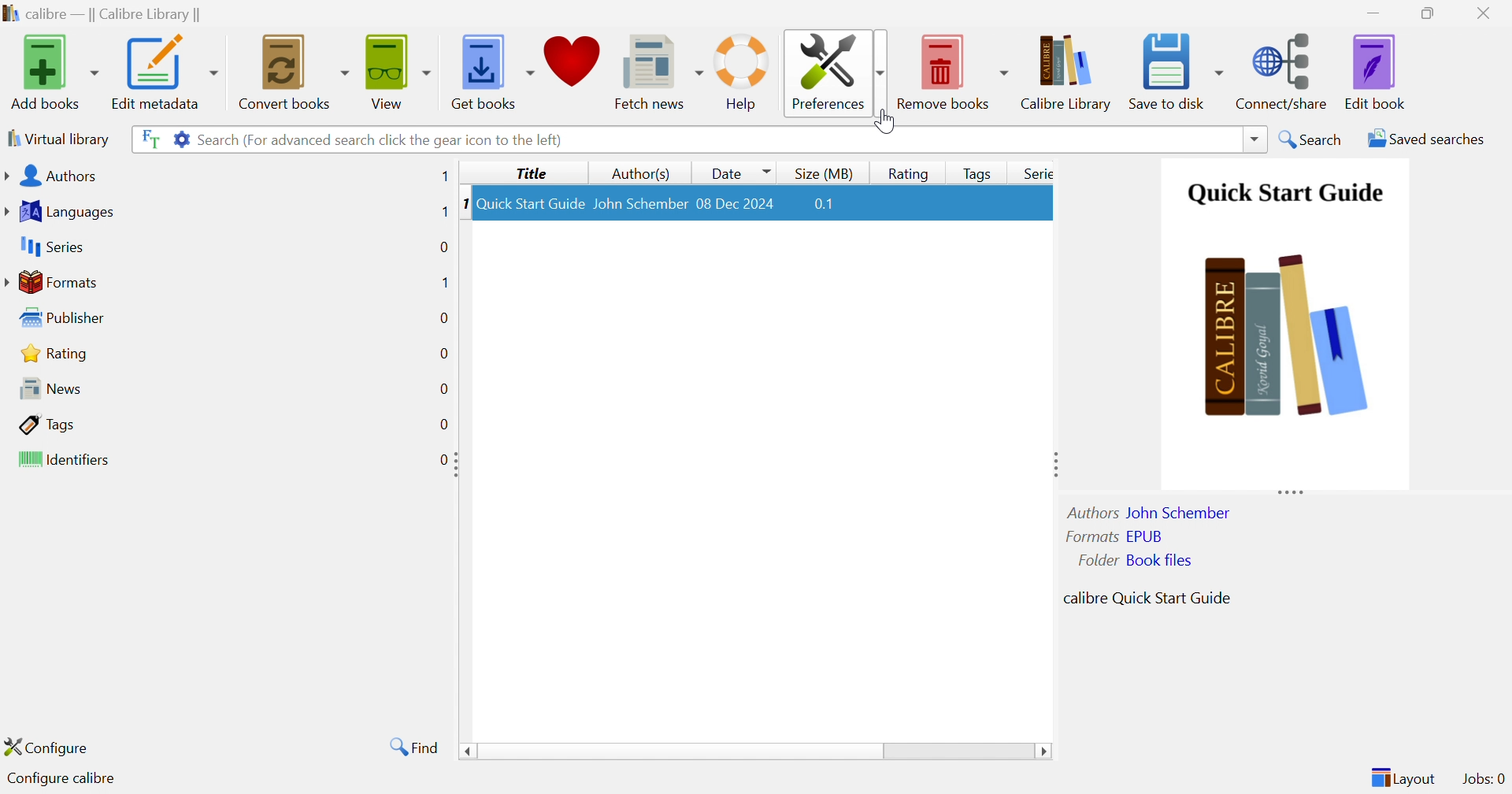 The width and height of the screenshot is (1512, 794). What do you see at coordinates (491, 68) in the screenshot?
I see `Get books` at bounding box center [491, 68].